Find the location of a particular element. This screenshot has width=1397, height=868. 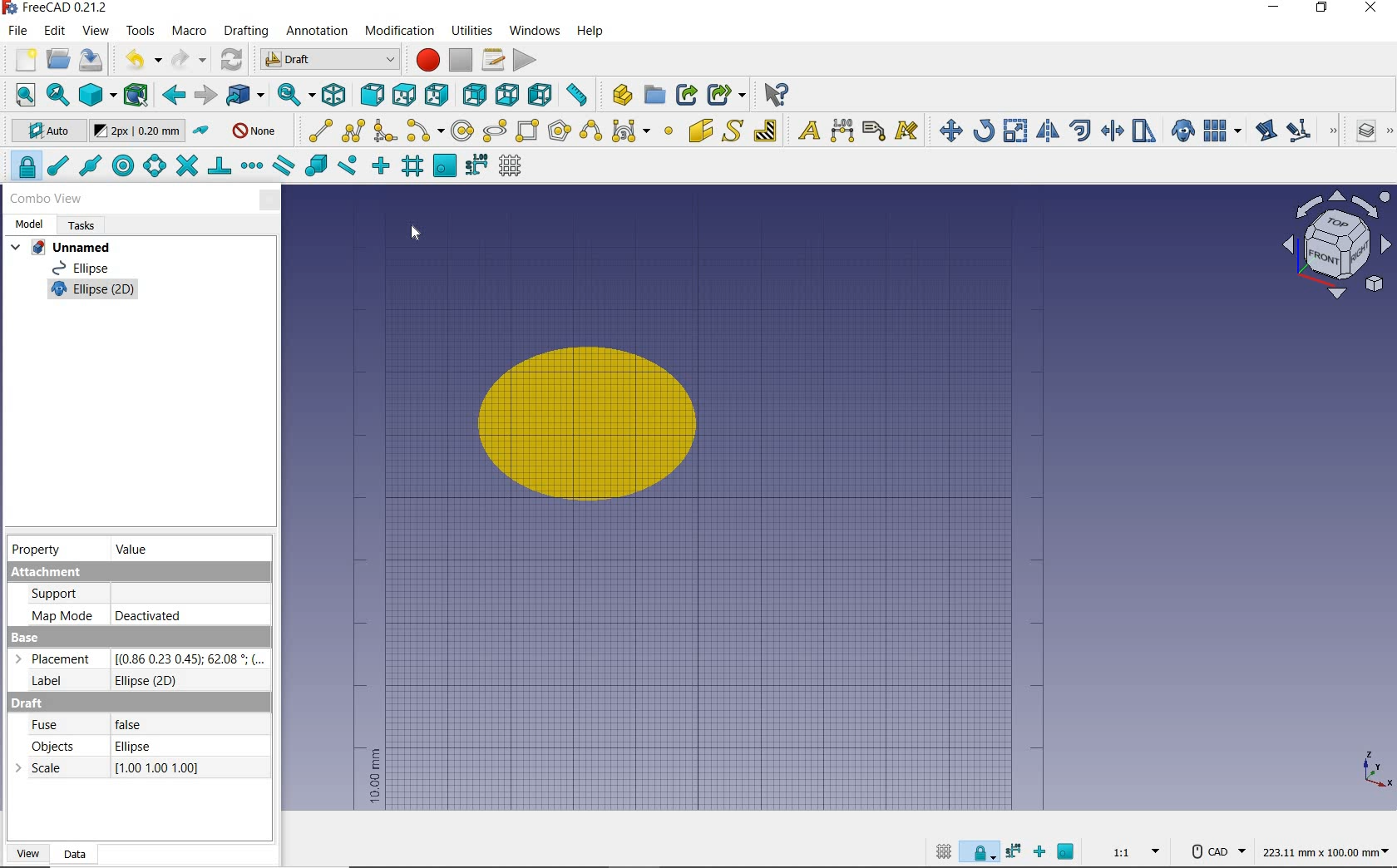

file is located at coordinates (16, 30).